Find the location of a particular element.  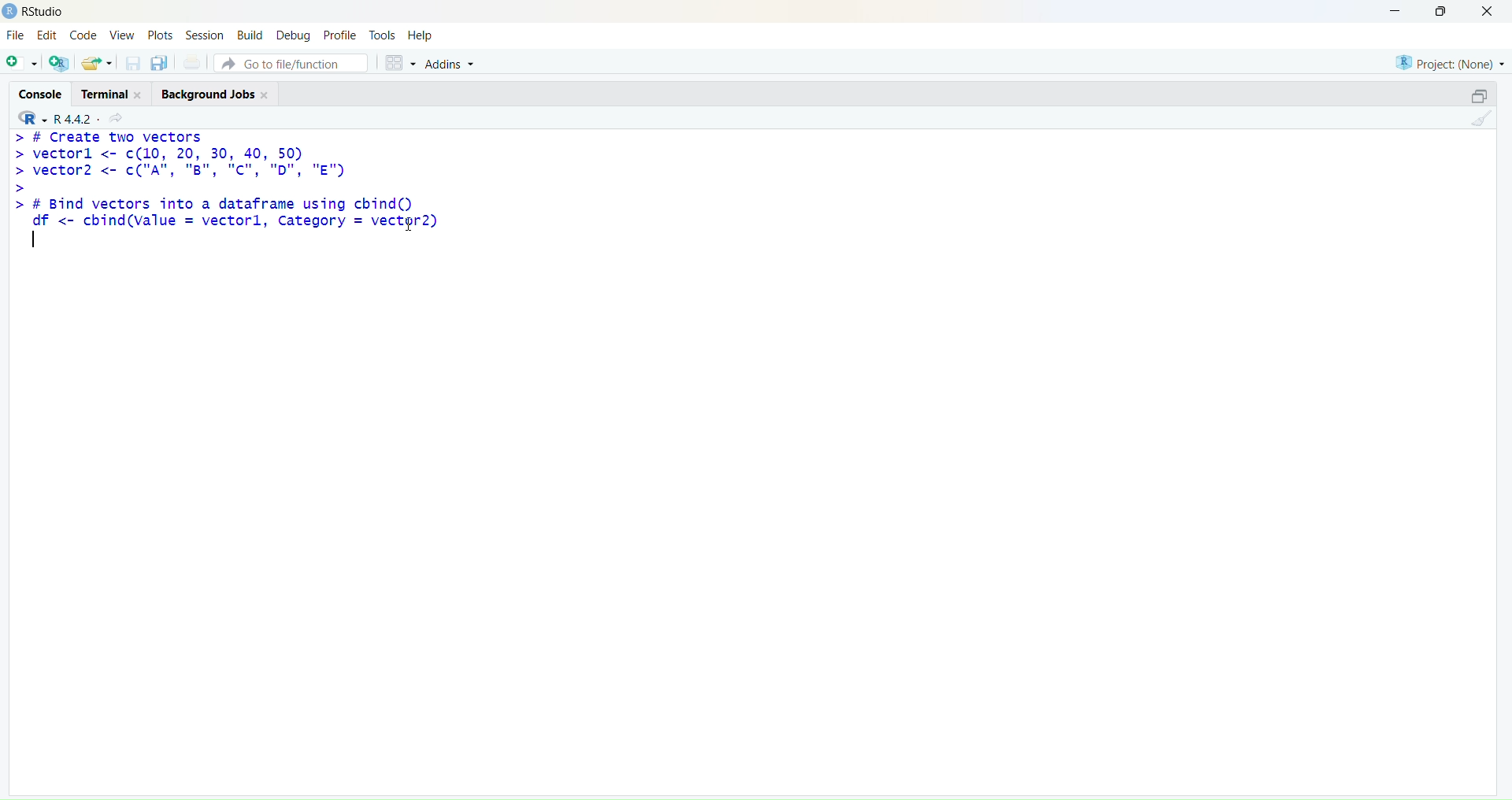

clear console is located at coordinates (1481, 119).